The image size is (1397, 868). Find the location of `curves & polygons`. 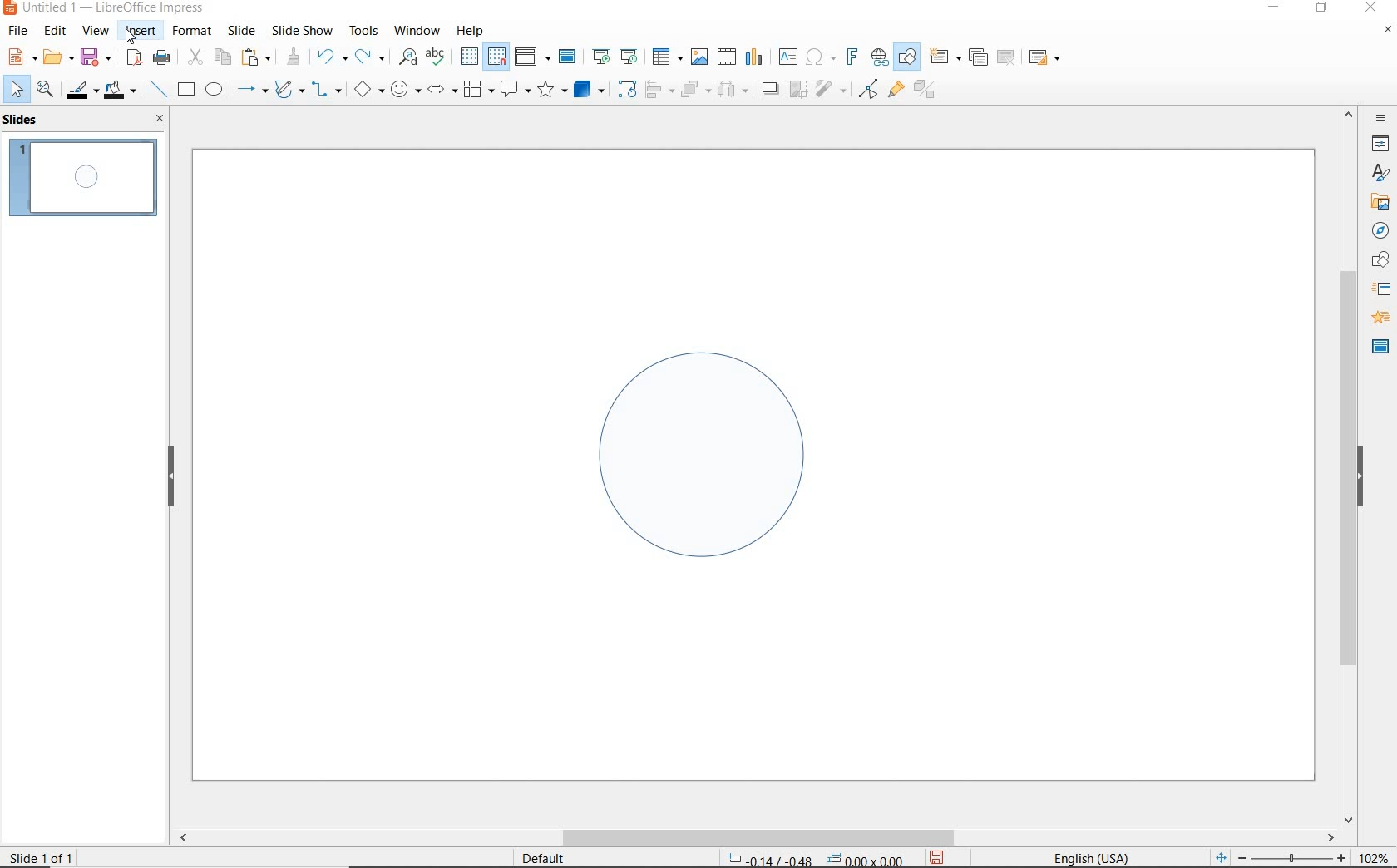

curves & polygons is located at coordinates (289, 90).